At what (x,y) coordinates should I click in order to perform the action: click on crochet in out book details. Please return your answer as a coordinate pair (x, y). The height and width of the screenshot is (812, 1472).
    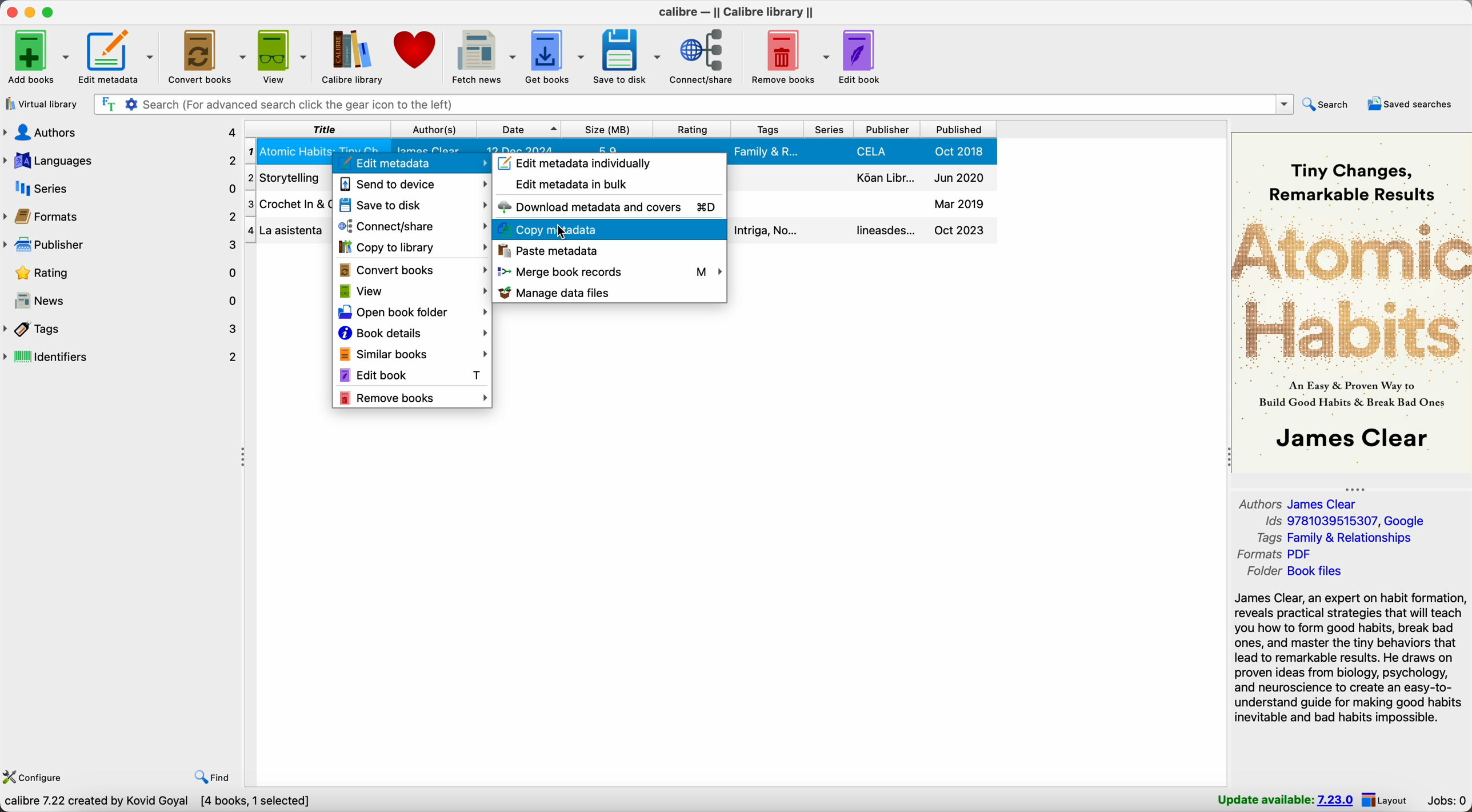
    Looking at the image, I should click on (289, 205).